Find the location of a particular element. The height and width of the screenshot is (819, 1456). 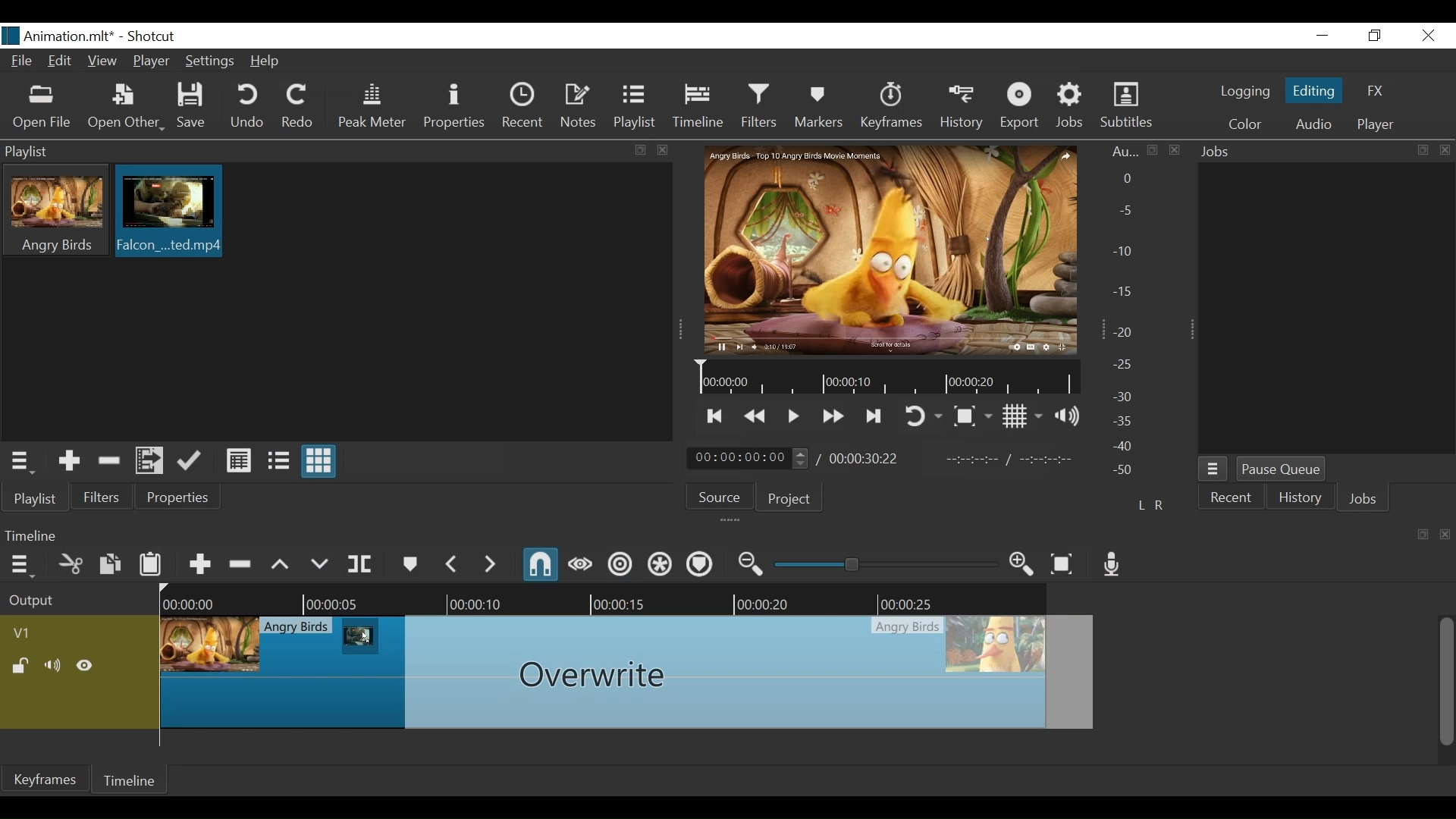

Open Other is located at coordinates (125, 108).